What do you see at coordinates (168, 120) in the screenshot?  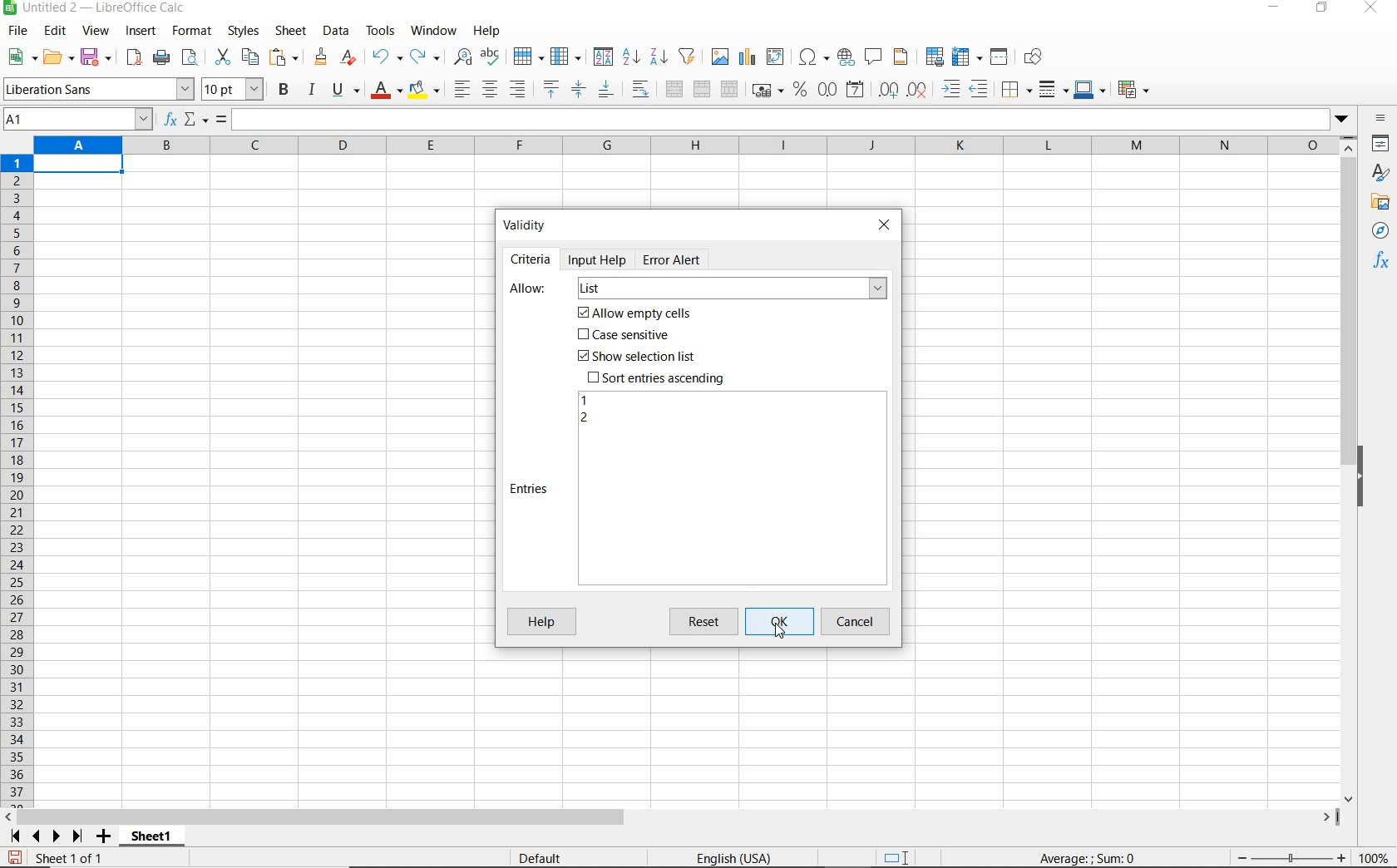 I see `function wizard` at bounding box center [168, 120].